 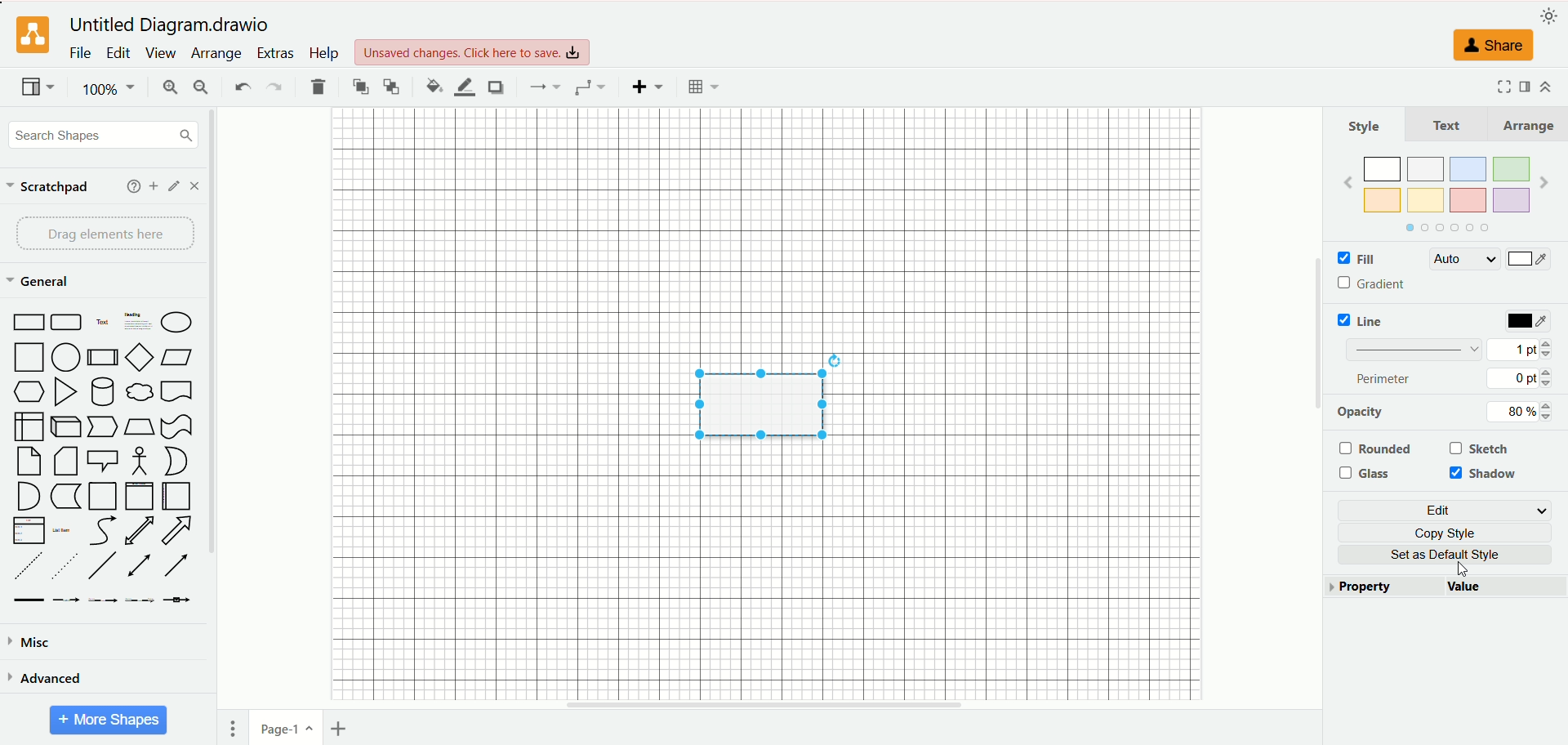 What do you see at coordinates (287, 726) in the screenshot?
I see `page-1` at bounding box center [287, 726].